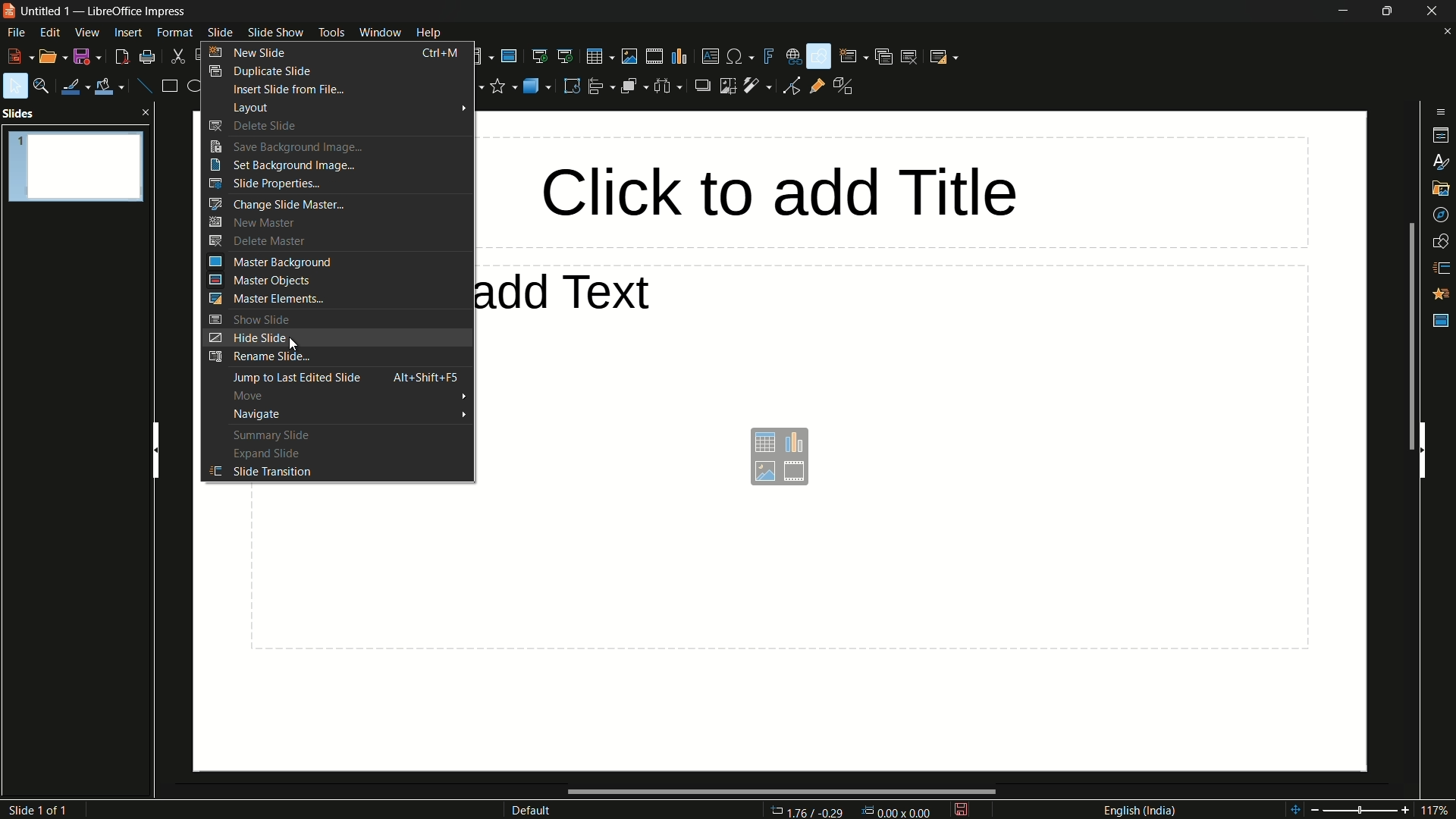  I want to click on help menu, so click(429, 33).